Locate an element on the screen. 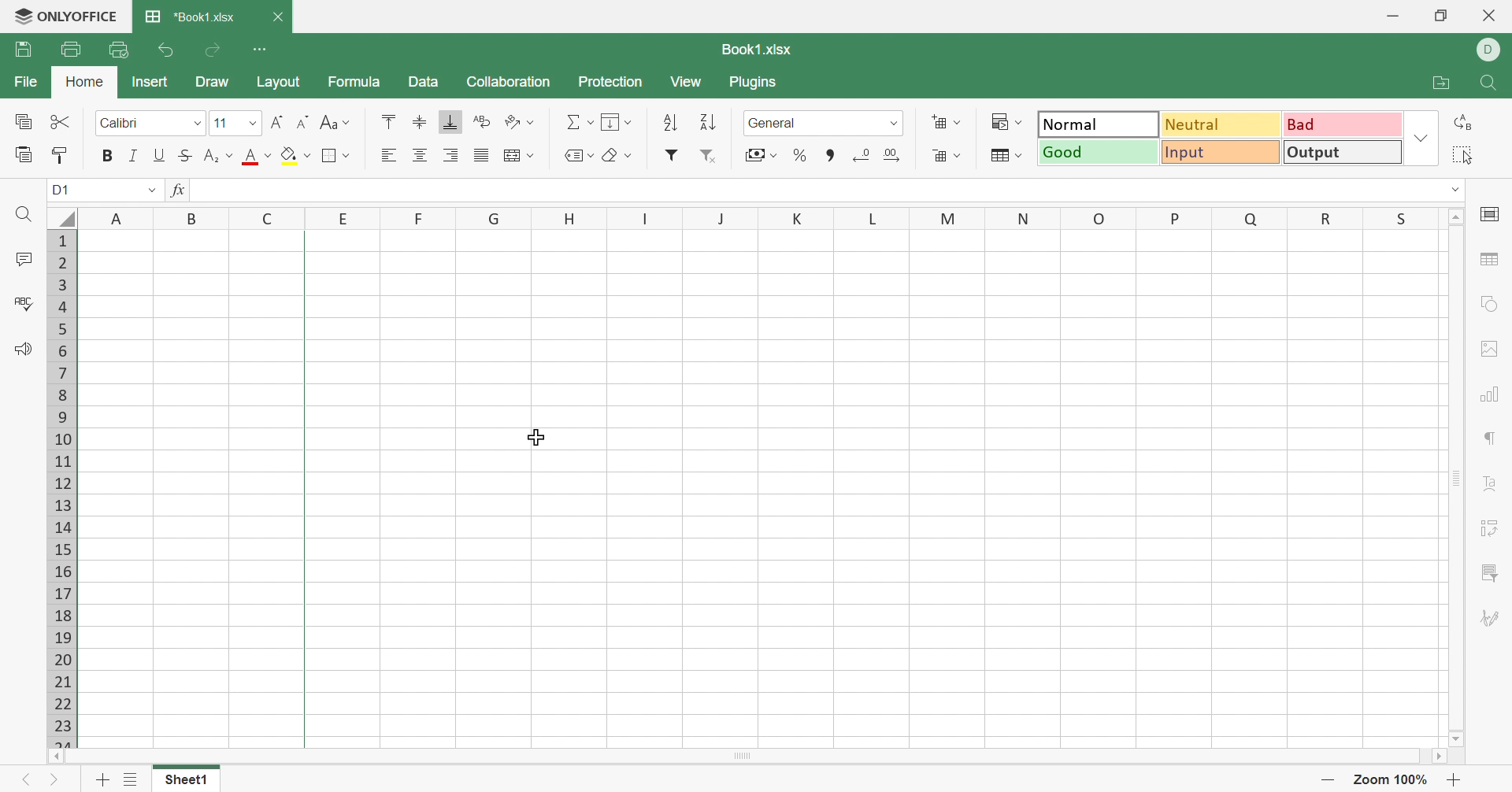 Image resolution: width=1512 pixels, height=792 pixels. Collaboration is located at coordinates (509, 82).